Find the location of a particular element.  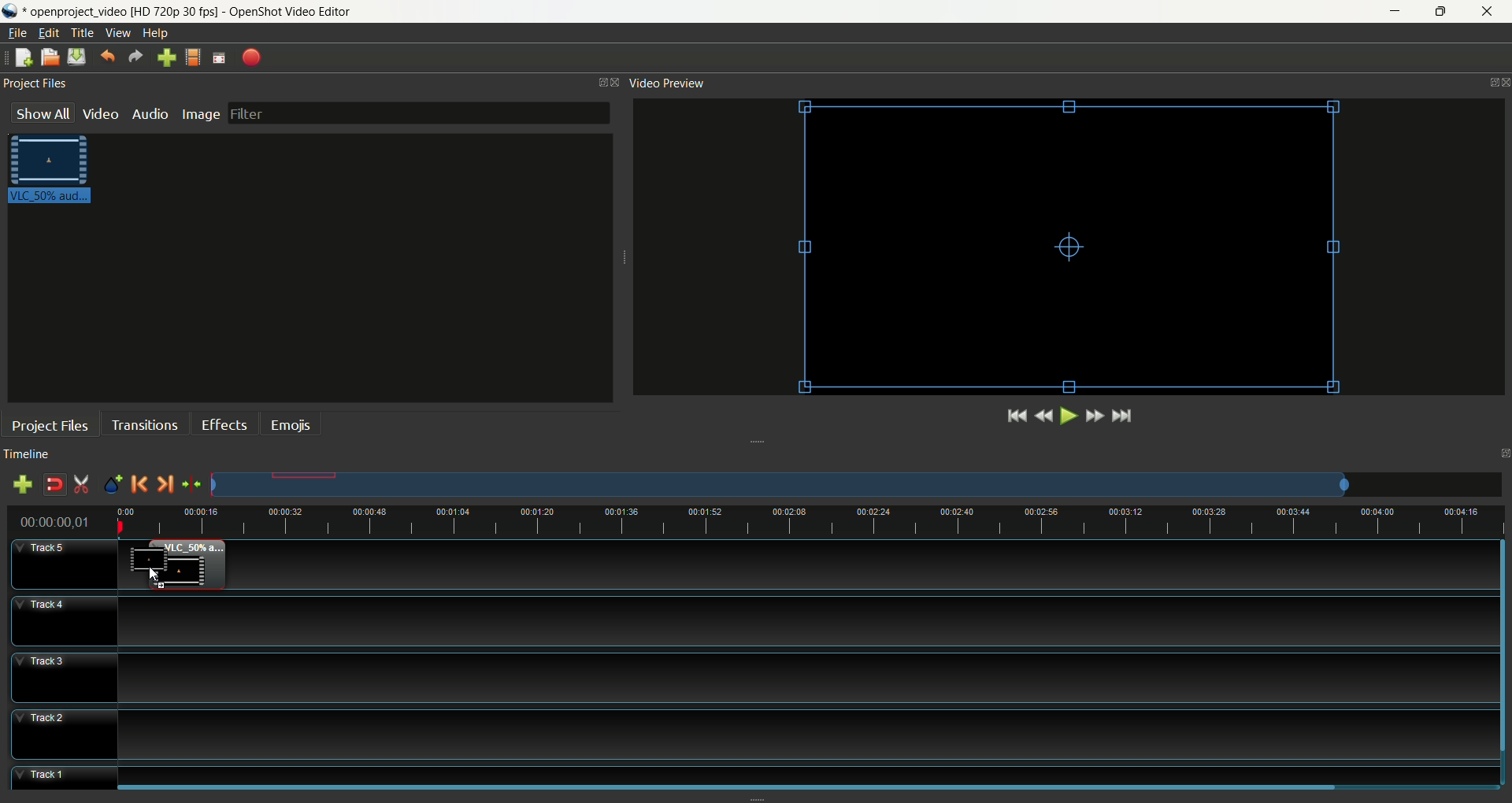

enable razor is located at coordinates (80, 484).